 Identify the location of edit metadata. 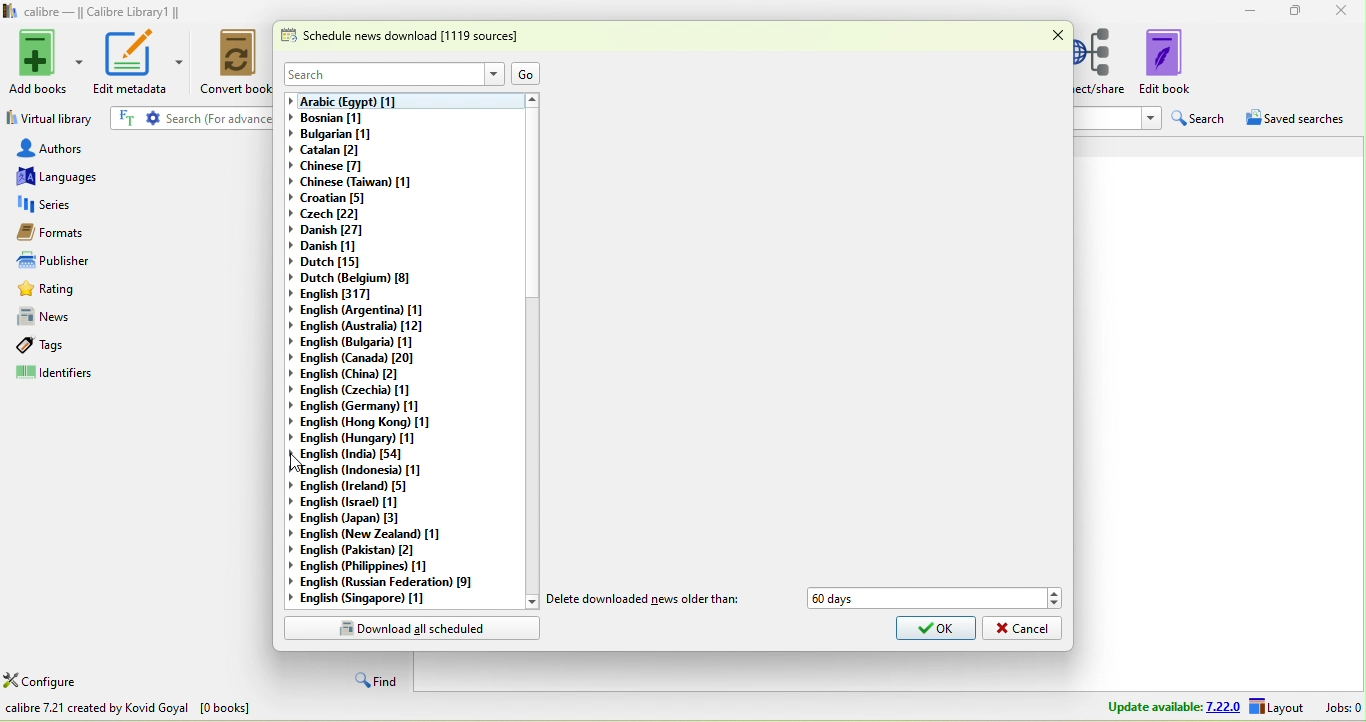
(129, 62).